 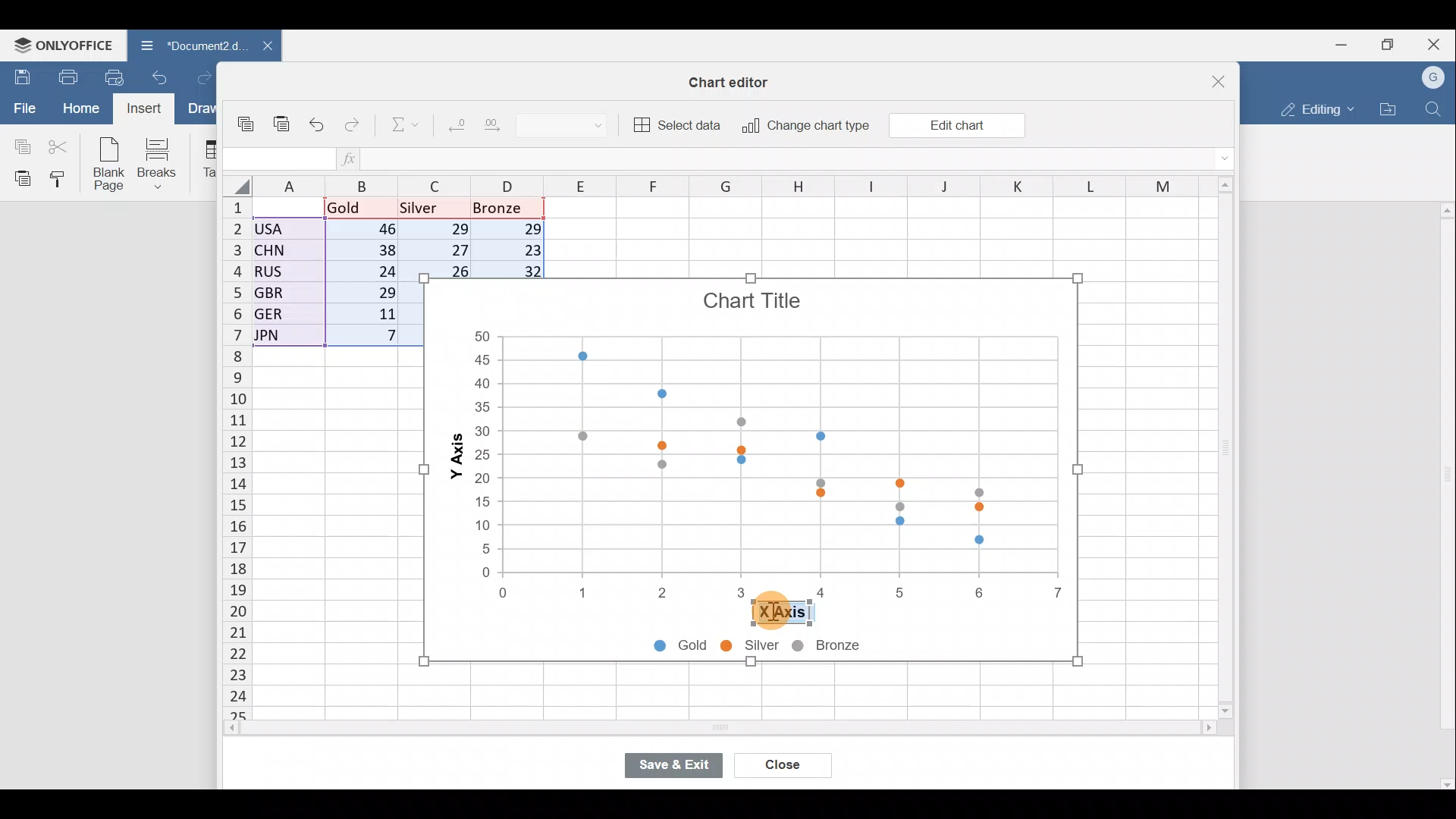 What do you see at coordinates (688, 730) in the screenshot?
I see `Scroll bar` at bounding box center [688, 730].